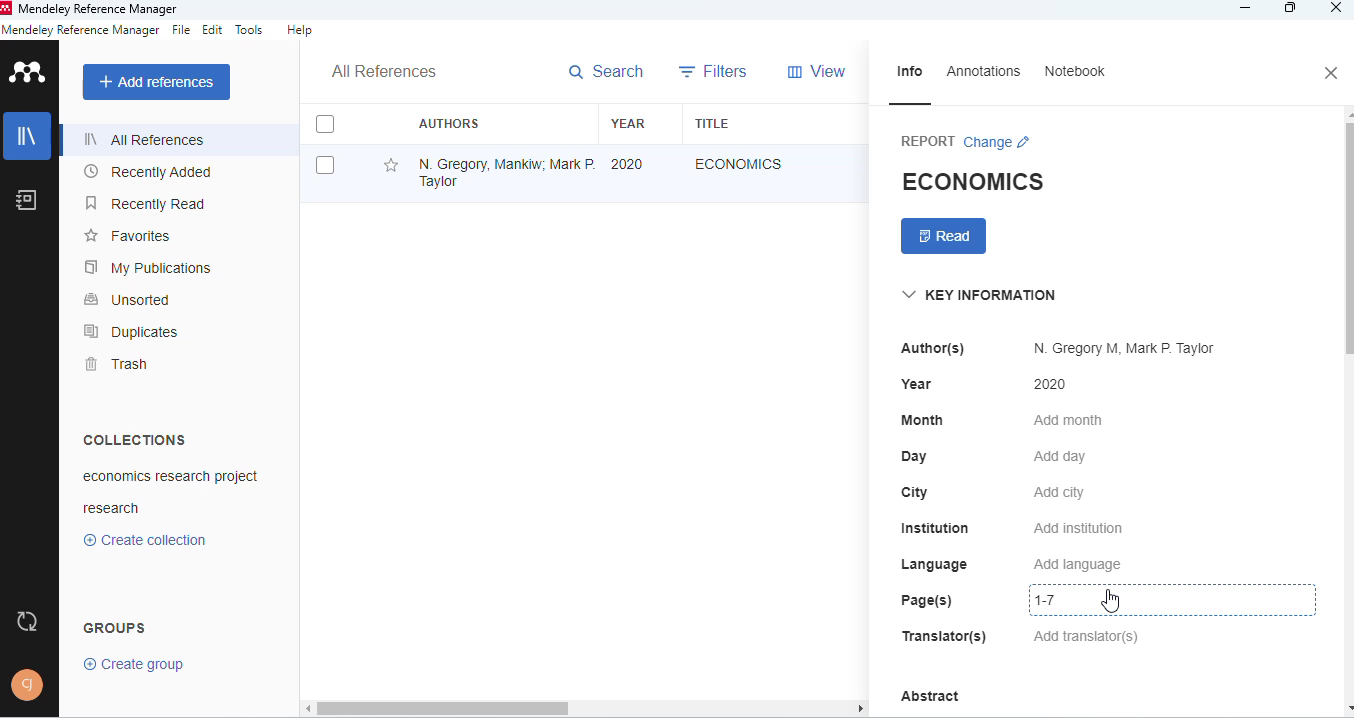 The image size is (1354, 718). Describe the element at coordinates (325, 123) in the screenshot. I see `select` at that location.